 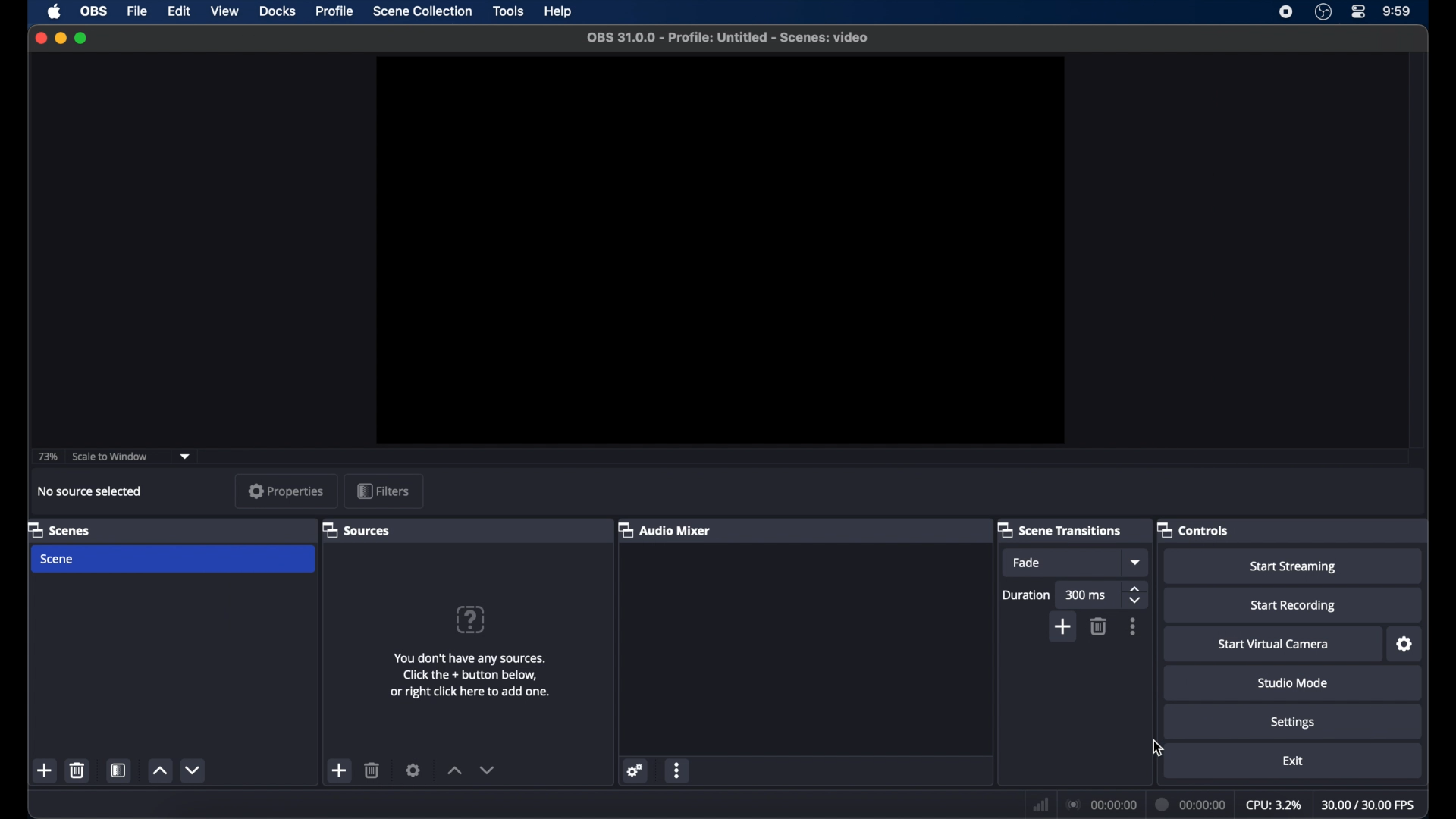 What do you see at coordinates (413, 770) in the screenshot?
I see `settings` at bounding box center [413, 770].